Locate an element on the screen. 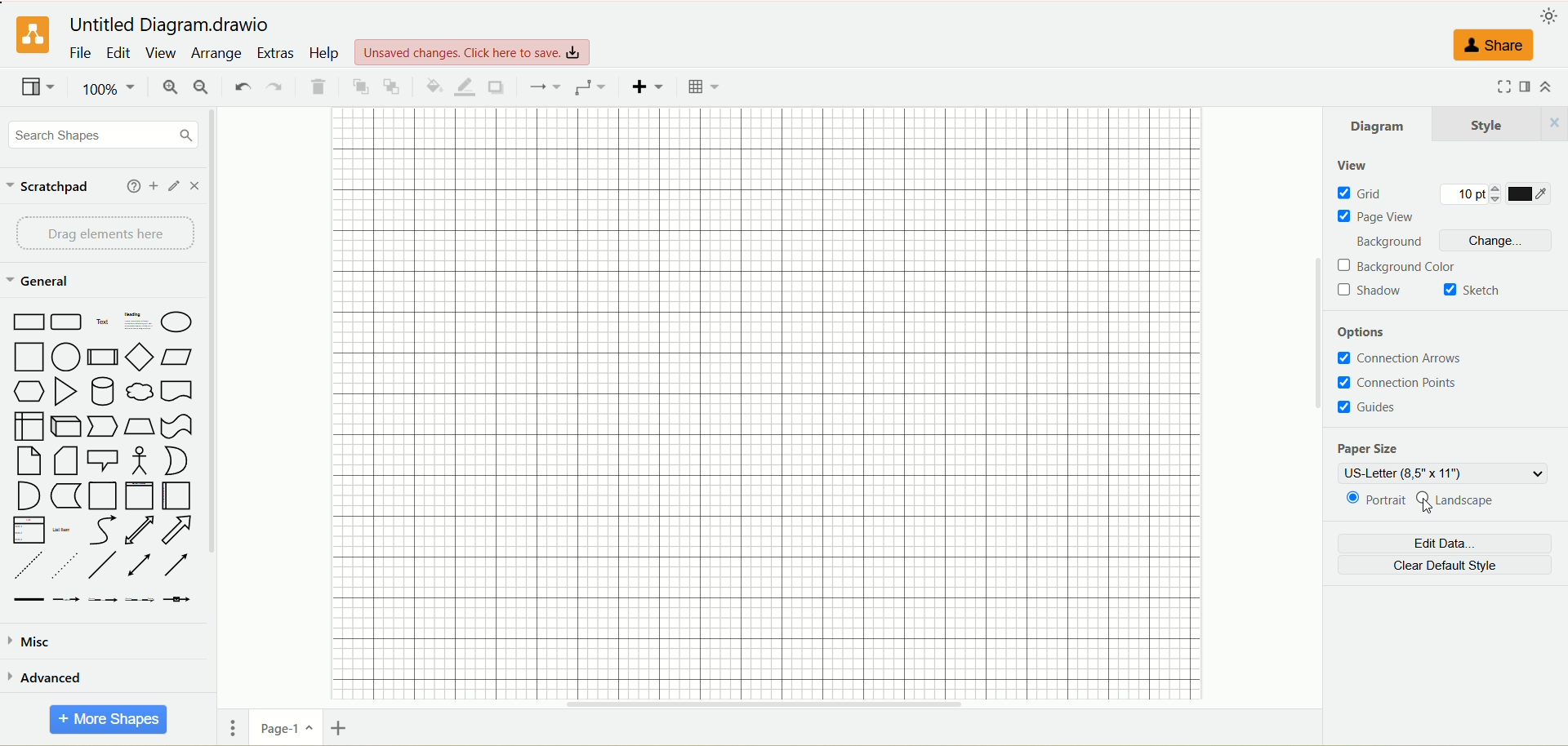 The height and width of the screenshot is (746, 1568). zoom in is located at coordinates (171, 87).